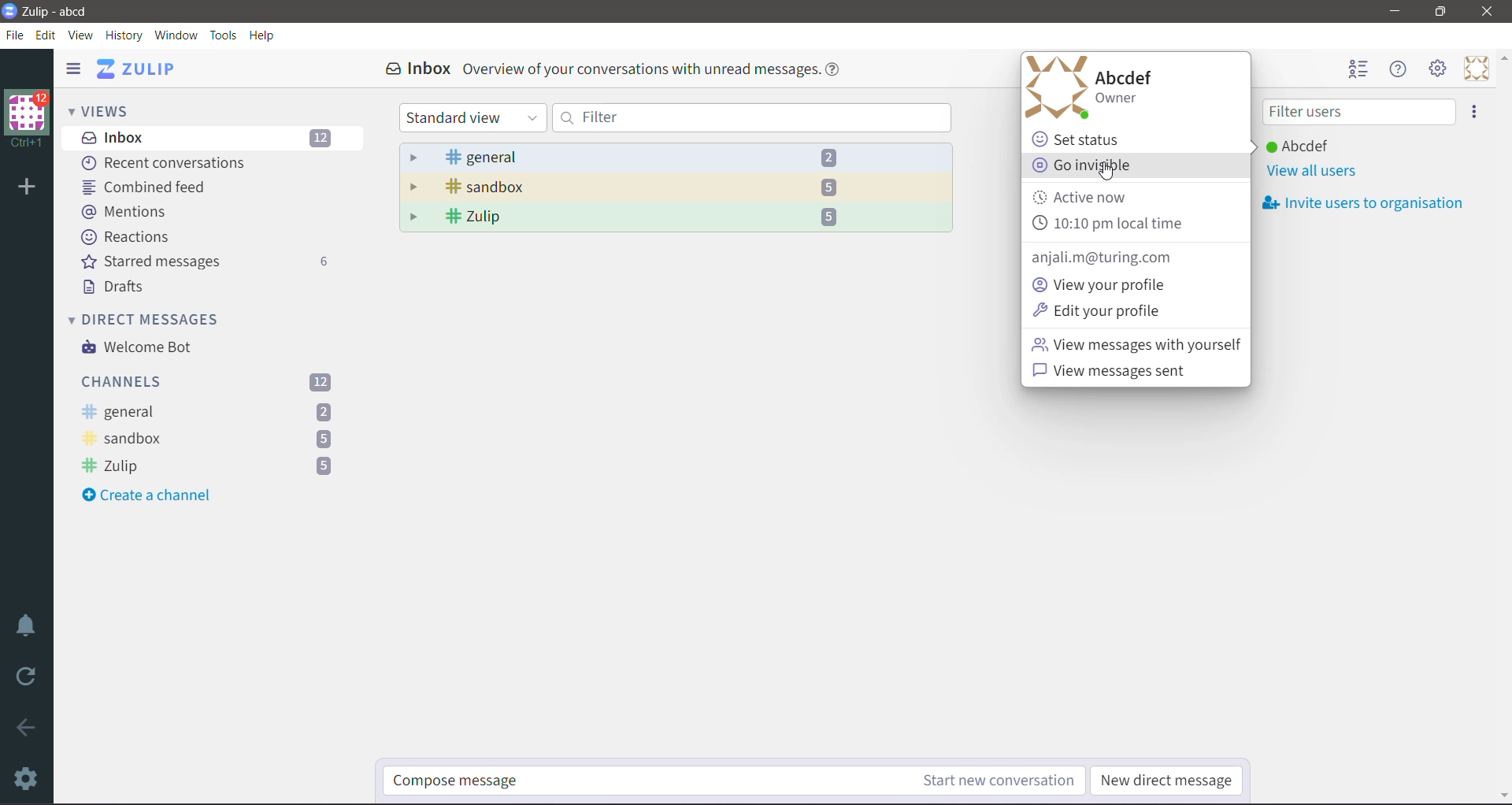  I want to click on Abcdef Owner, so click(1137, 87).